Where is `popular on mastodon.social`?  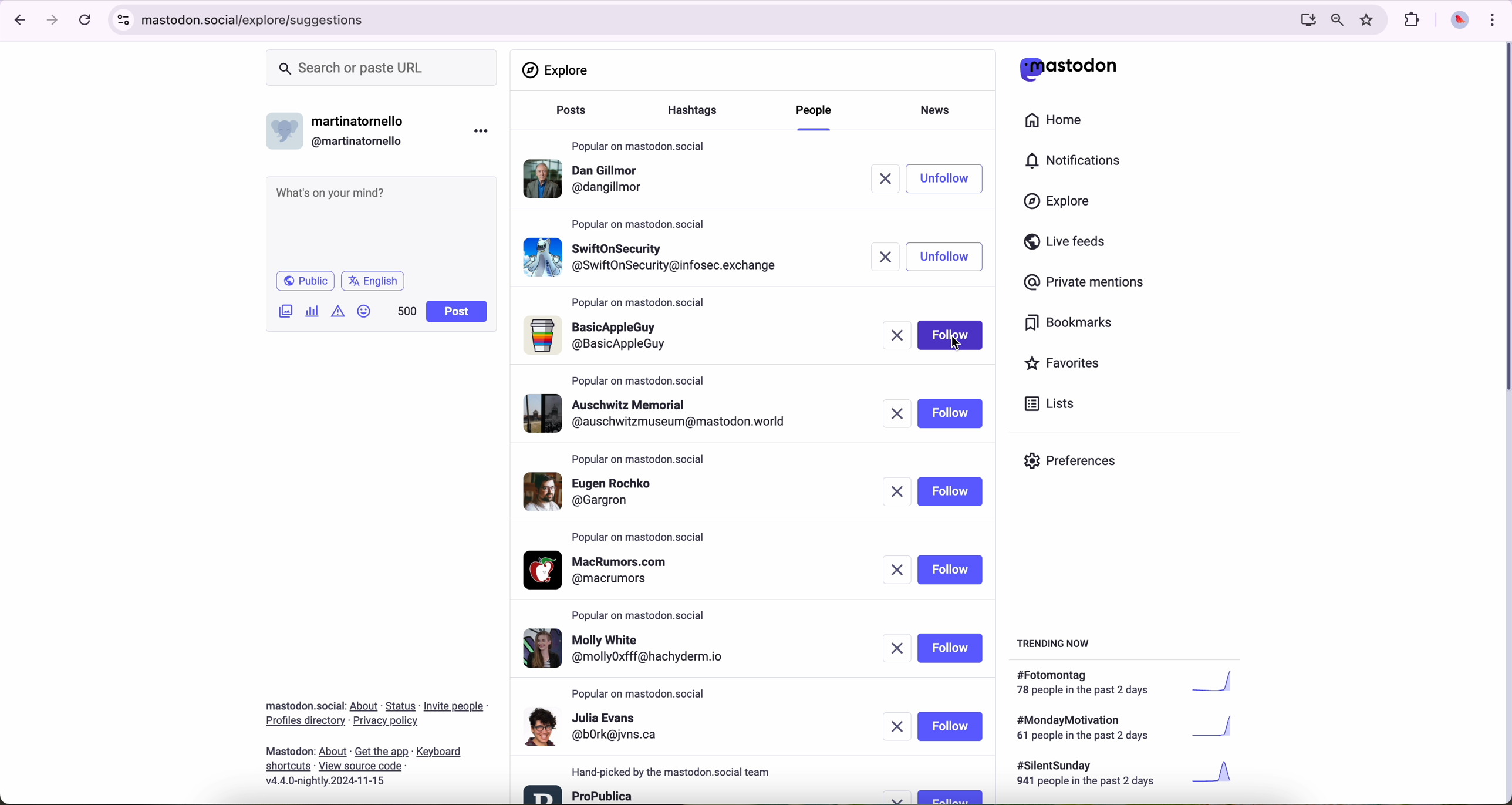 popular on mastodon.social is located at coordinates (640, 304).